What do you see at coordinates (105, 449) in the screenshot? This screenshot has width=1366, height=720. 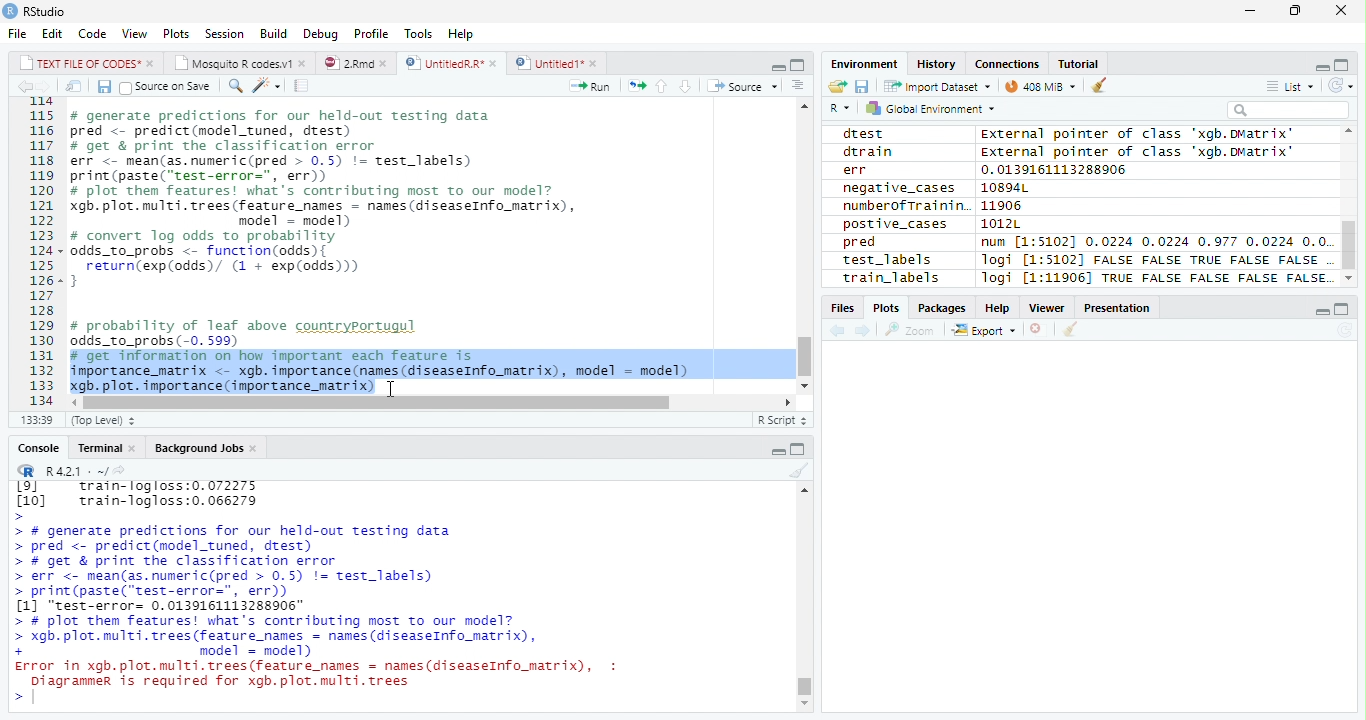 I see `Terminal` at bounding box center [105, 449].